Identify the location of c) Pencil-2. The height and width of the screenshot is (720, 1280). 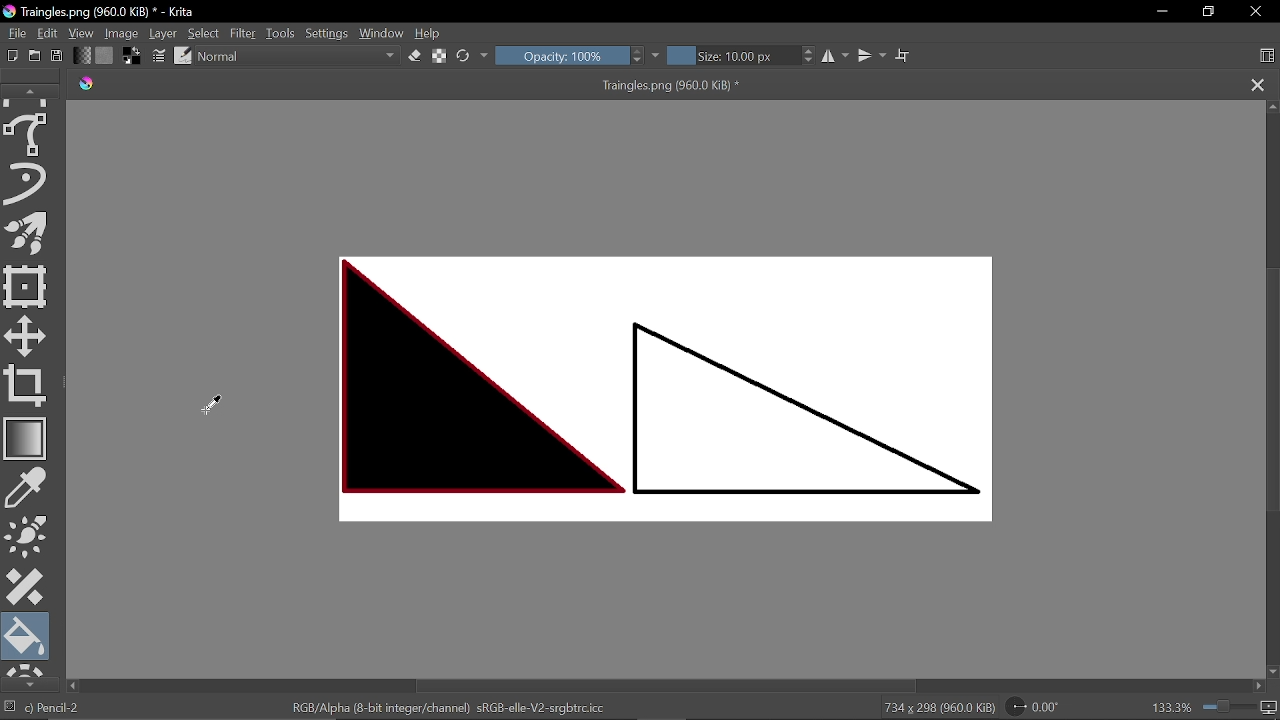
(53, 708).